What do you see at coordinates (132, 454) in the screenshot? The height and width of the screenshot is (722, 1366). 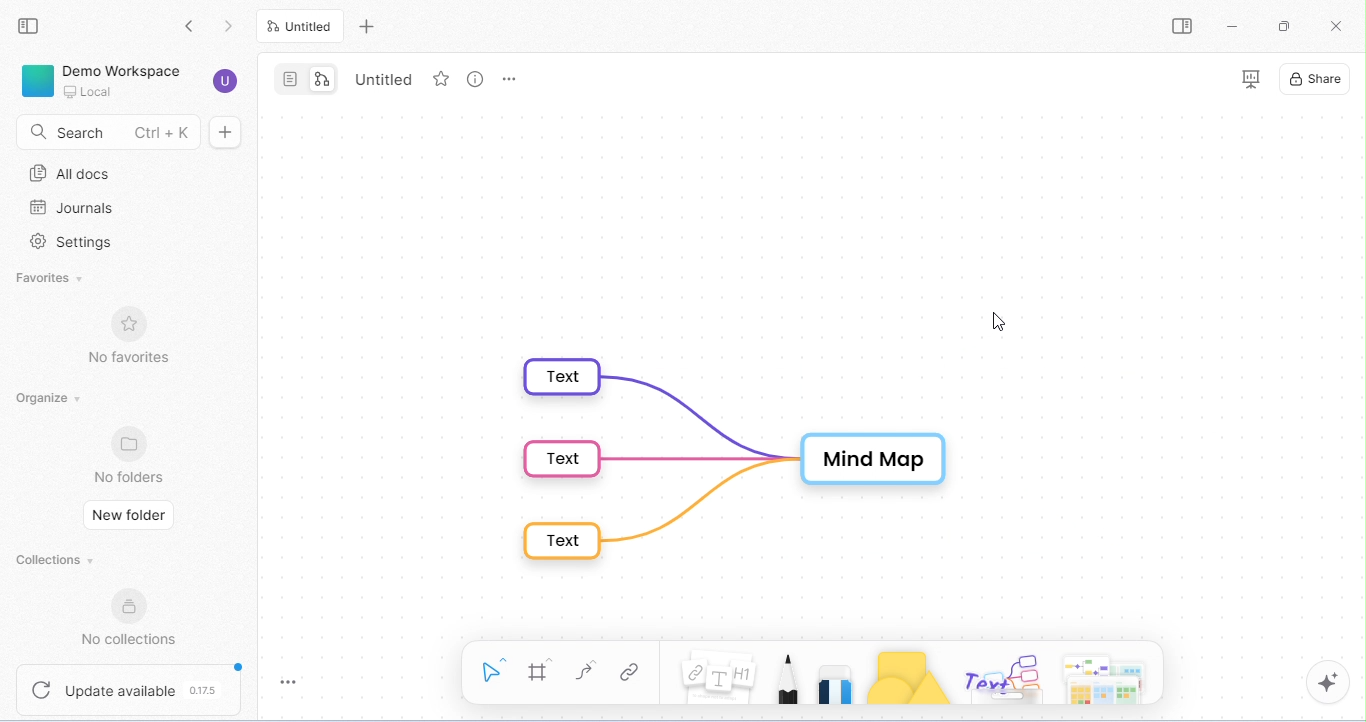 I see `no folders` at bounding box center [132, 454].